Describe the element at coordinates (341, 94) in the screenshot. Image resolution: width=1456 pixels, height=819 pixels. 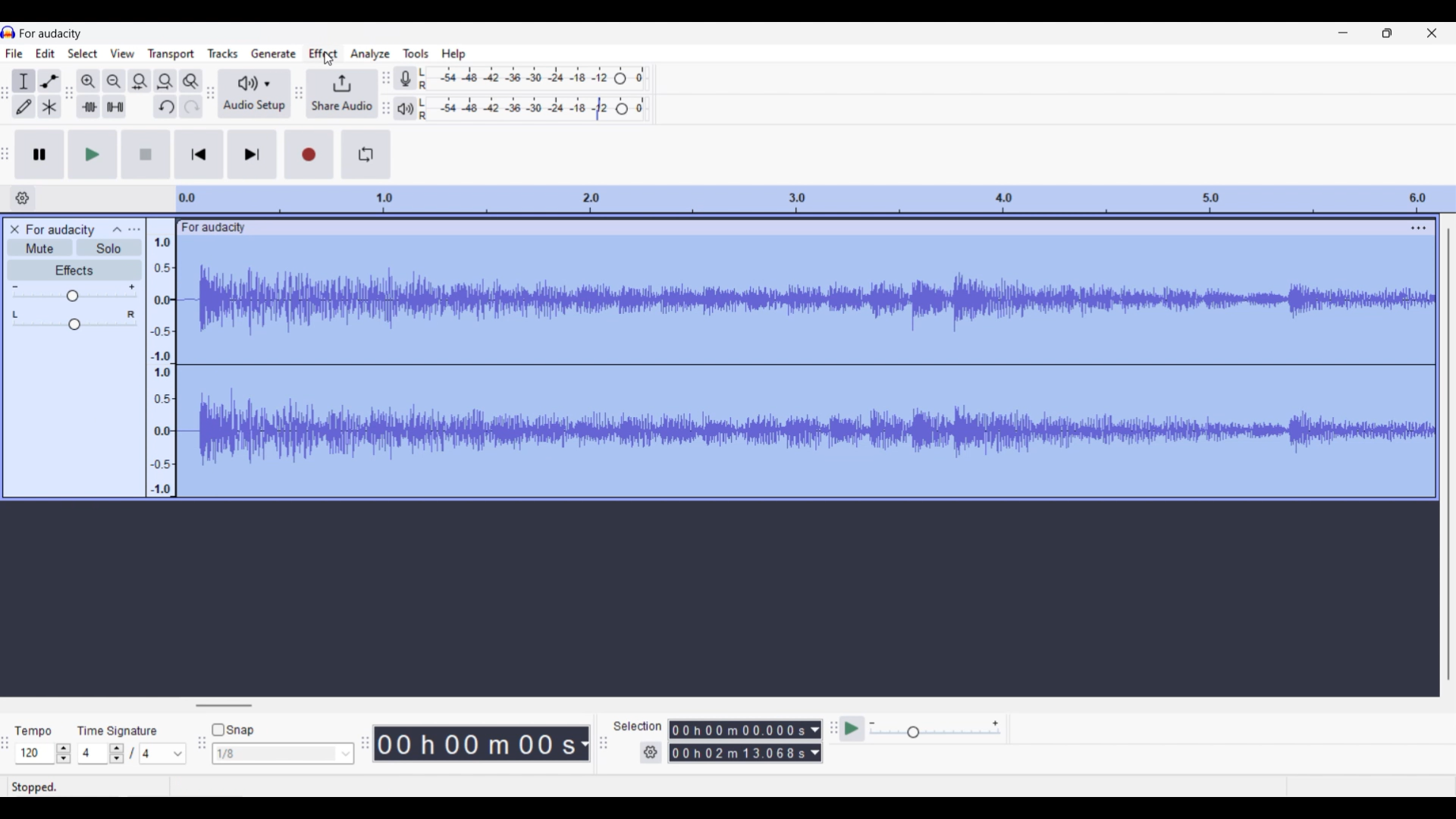
I see `Share audio` at that location.